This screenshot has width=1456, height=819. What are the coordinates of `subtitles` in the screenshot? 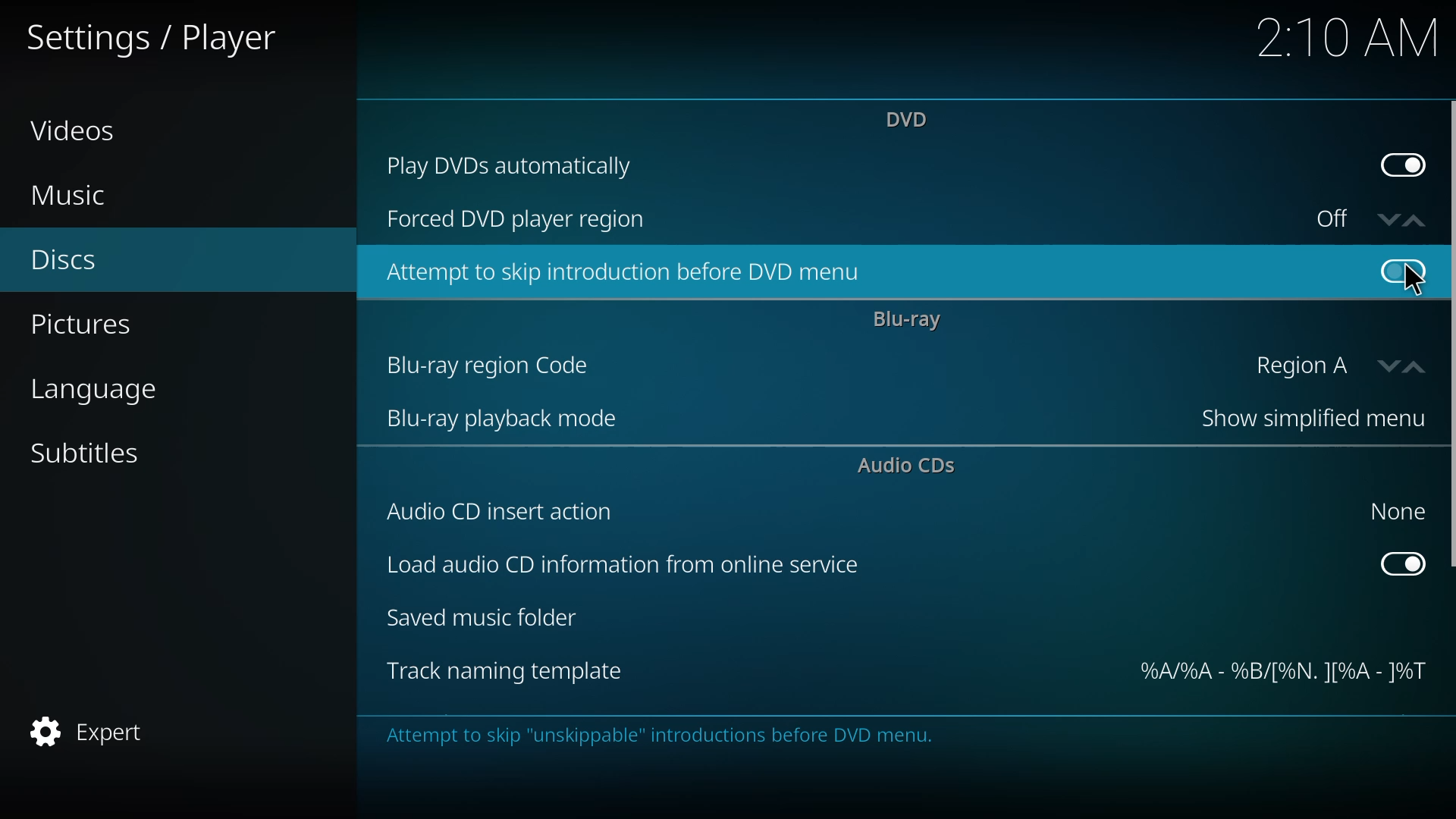 It's located at (89, 457).